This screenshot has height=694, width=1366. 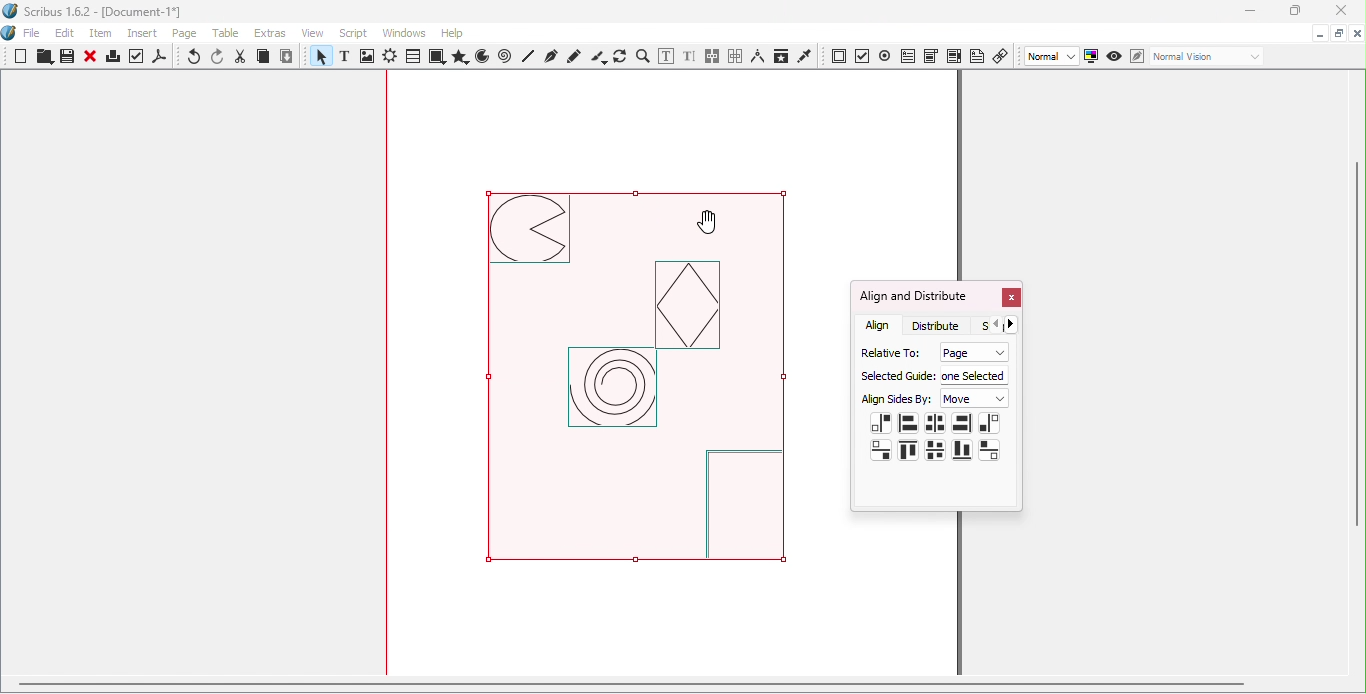 What do you see at coordinates (935, 450) in the screenshot?
I see `center on horizontal axis` at bounding box center [935, 450].